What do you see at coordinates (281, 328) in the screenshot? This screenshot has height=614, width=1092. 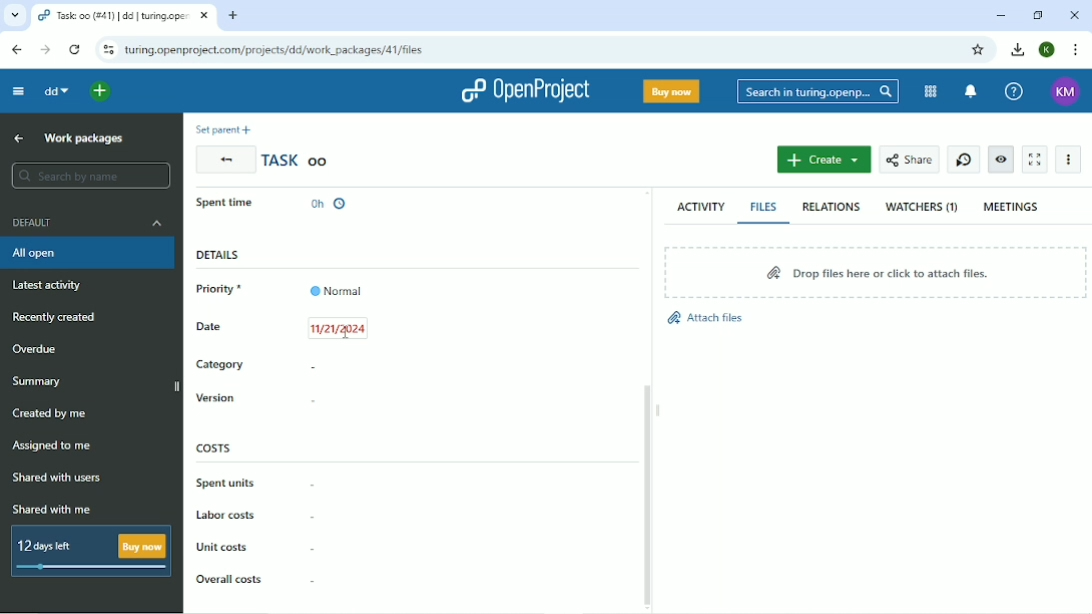 I see `Date` at bounding box center [281, 328].